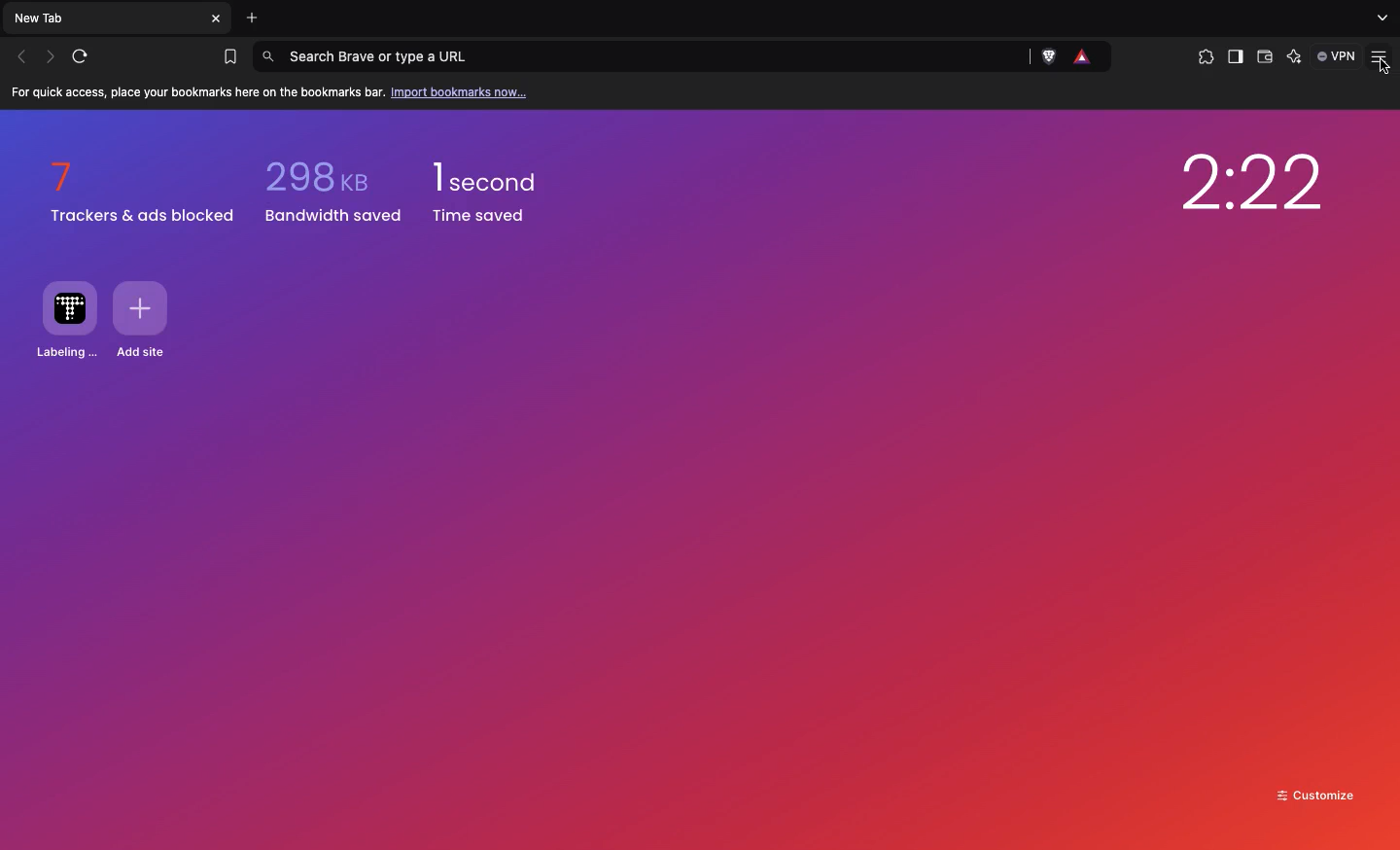 This screenshot has width=1400, height=850. I want to click on Customize and control brave, so click(1382, 57).